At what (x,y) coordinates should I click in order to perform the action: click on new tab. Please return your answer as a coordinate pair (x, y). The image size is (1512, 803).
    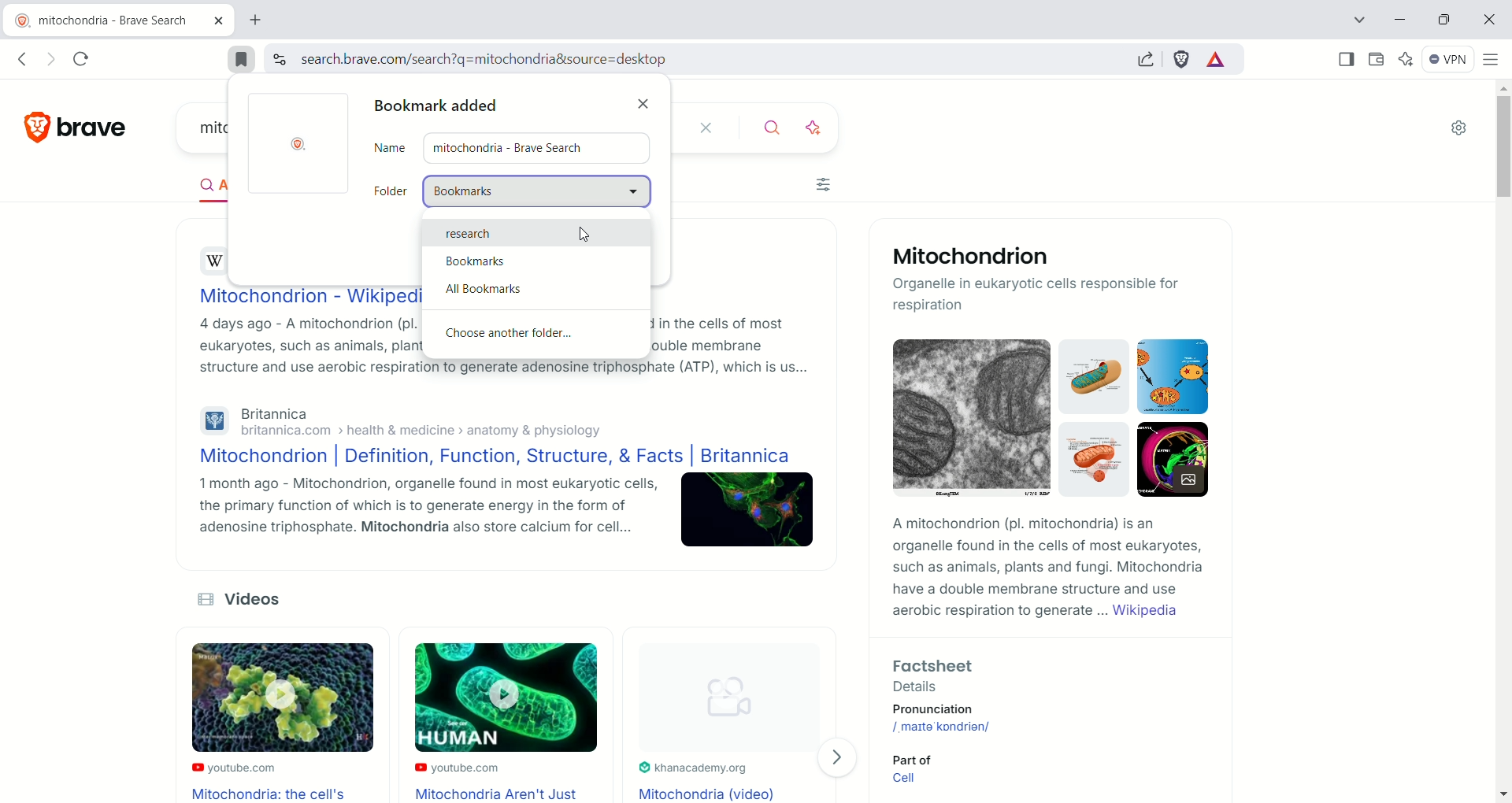
    Looking at the image, I should click on (258, 22).